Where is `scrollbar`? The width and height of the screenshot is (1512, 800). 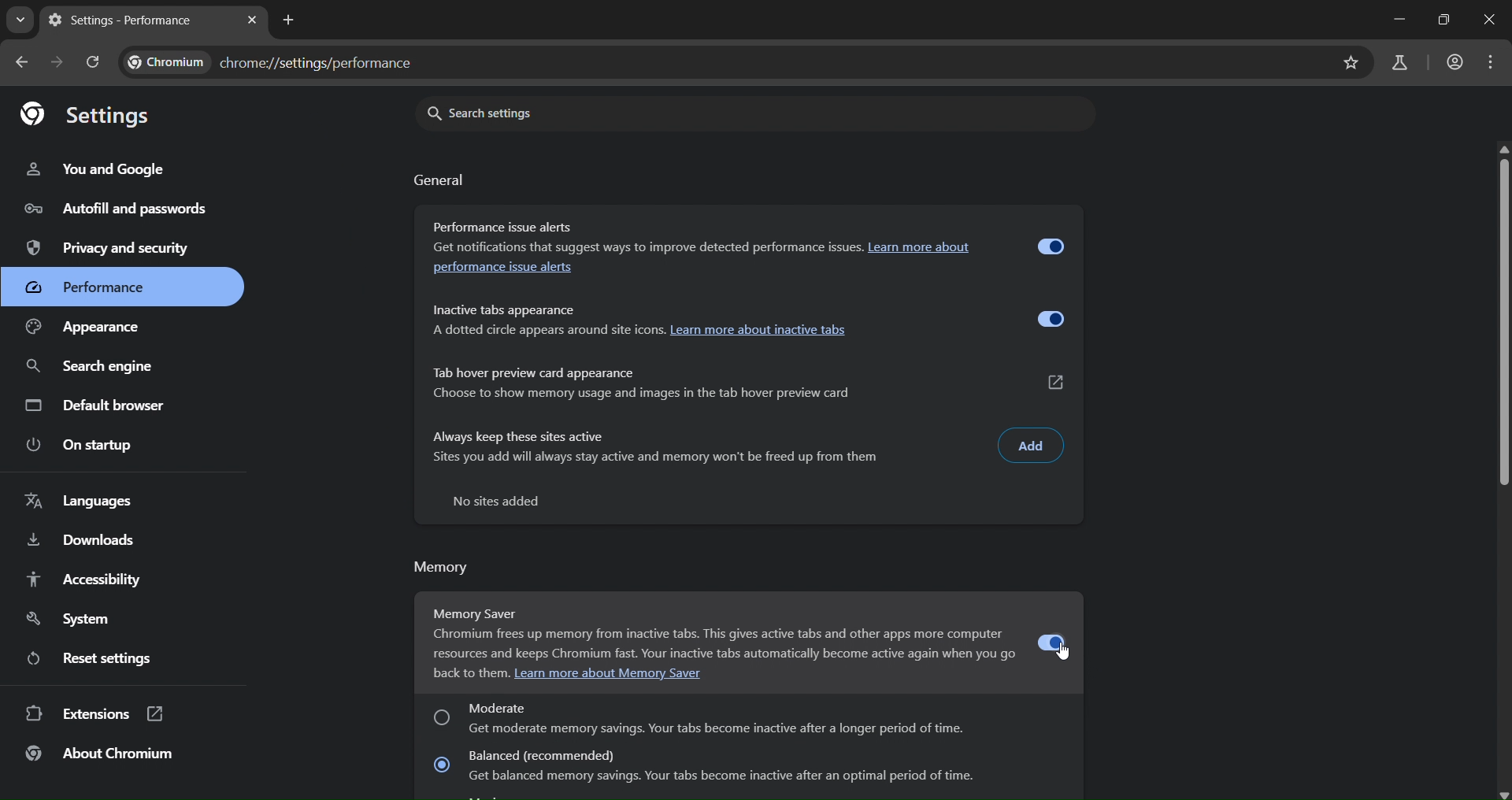 scrollbar is located at coordinates (1508, 471).